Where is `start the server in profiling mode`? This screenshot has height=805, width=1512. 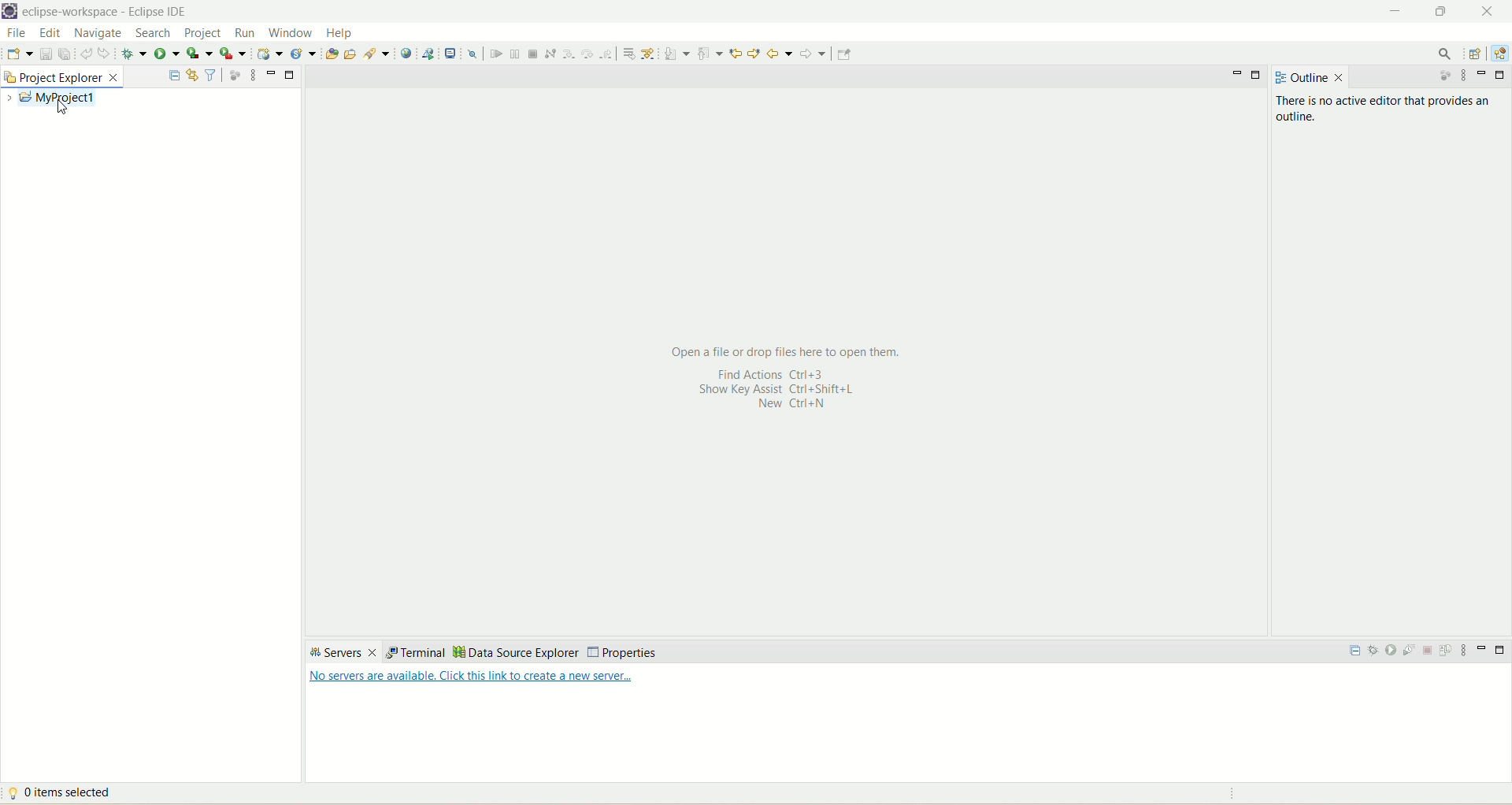
start the server in profiling mode is located at coordinates (1412, 653).